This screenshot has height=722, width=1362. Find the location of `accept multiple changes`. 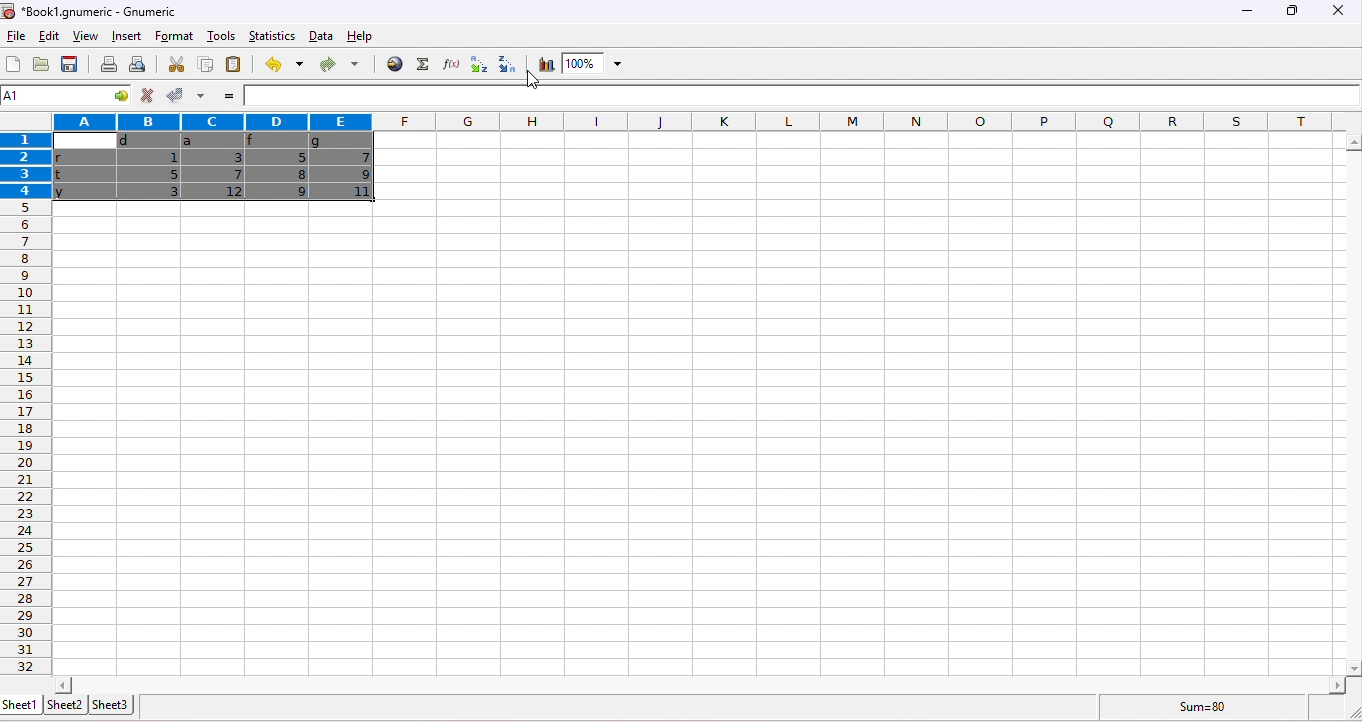

accept multiple changes is located at coordinates (202, 95).